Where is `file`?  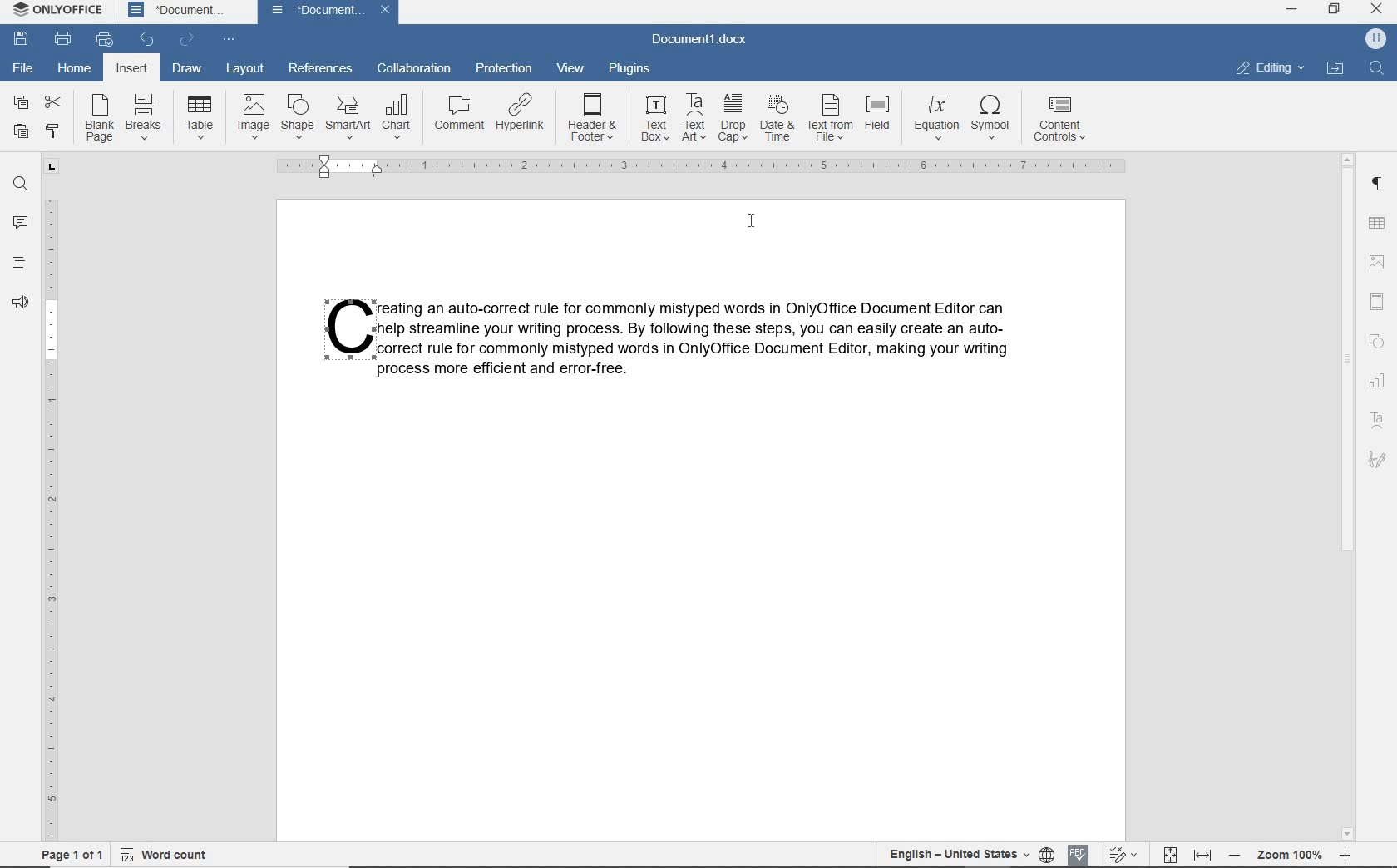
file is located at coordinates (22, 68).